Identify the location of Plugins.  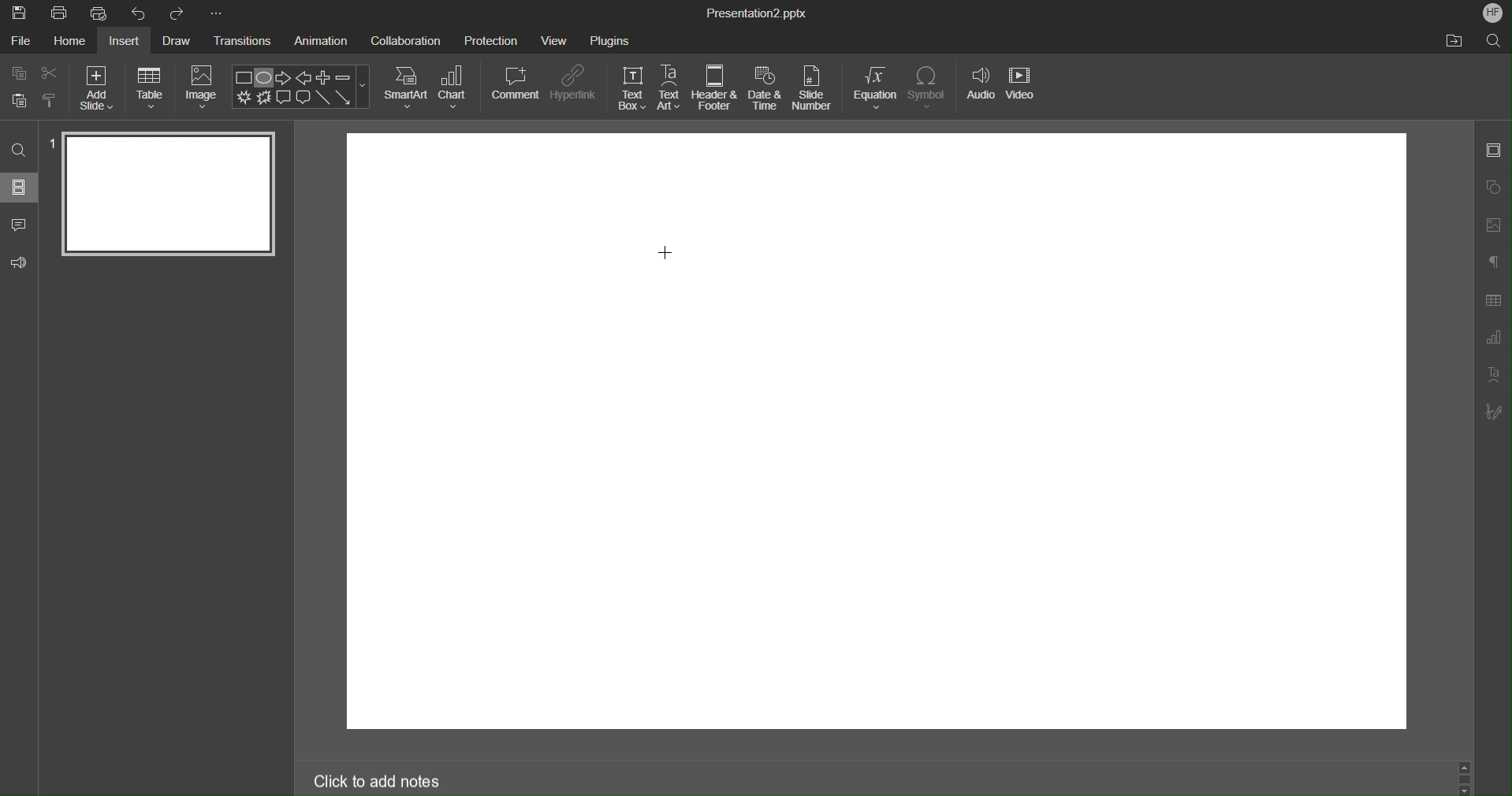
(610, 38).